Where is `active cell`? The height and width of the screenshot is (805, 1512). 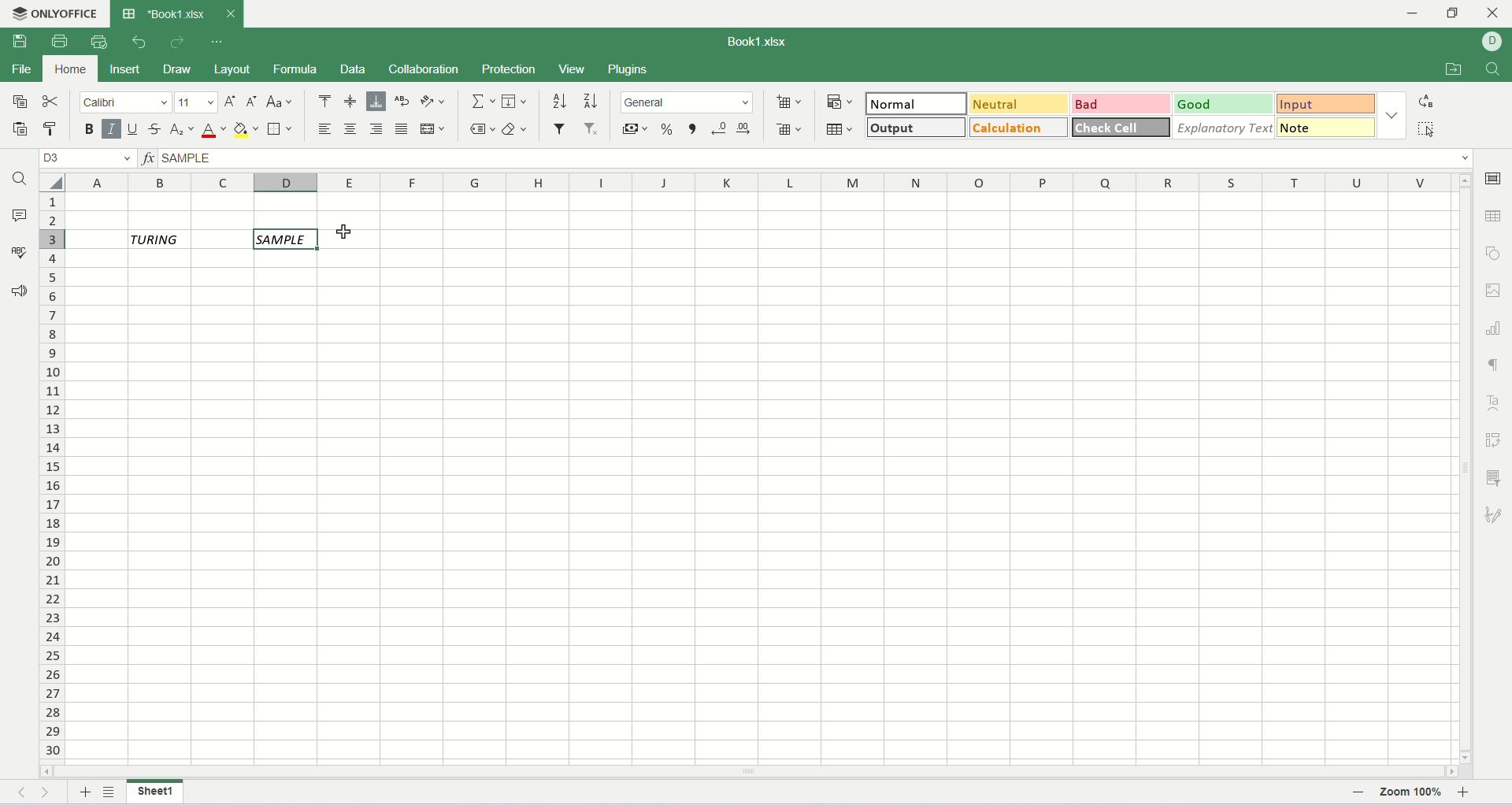 active cell is located at coordinates (286, 239).